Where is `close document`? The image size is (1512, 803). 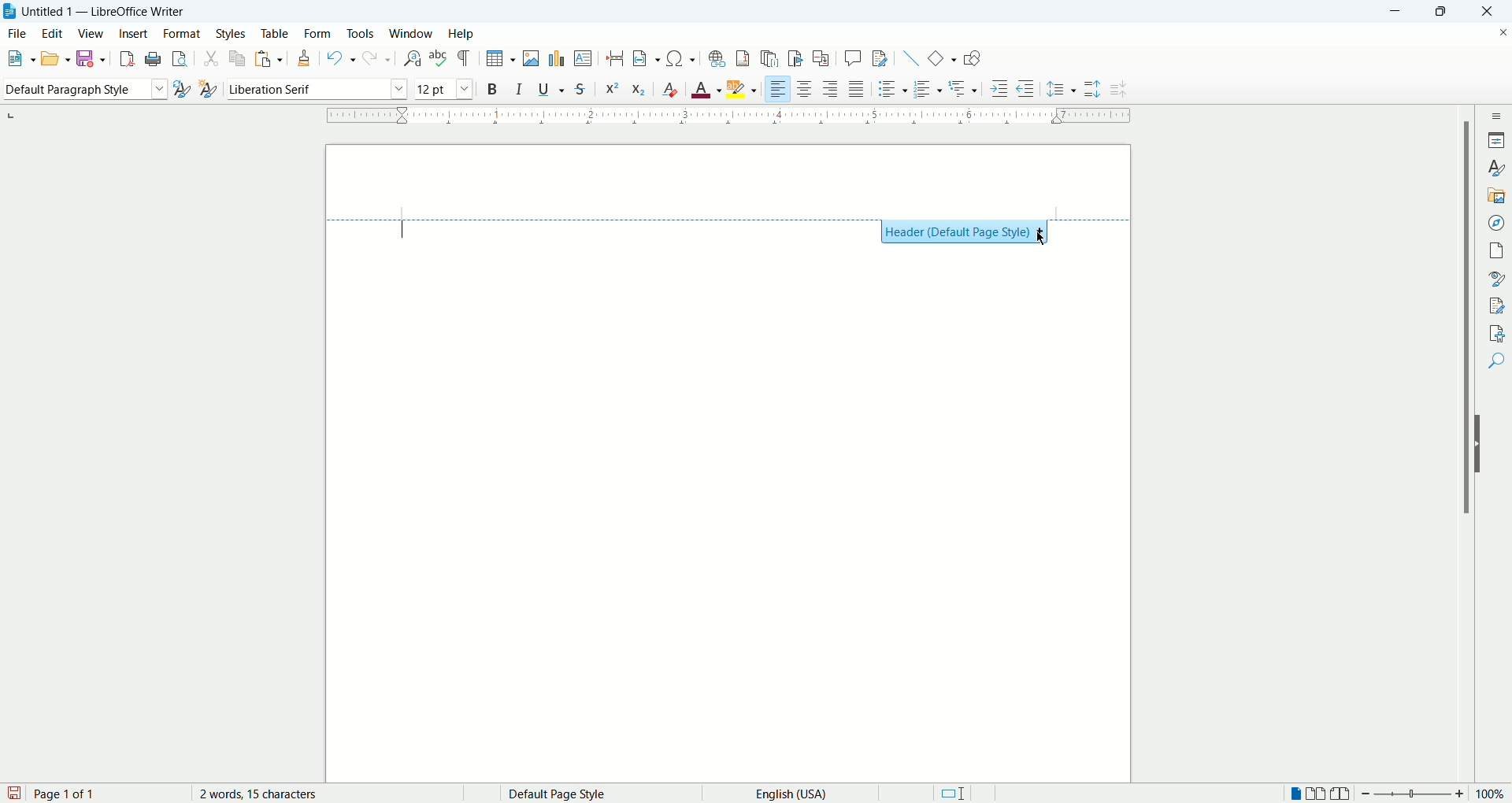
close document is located at coordinates (1499, 33).